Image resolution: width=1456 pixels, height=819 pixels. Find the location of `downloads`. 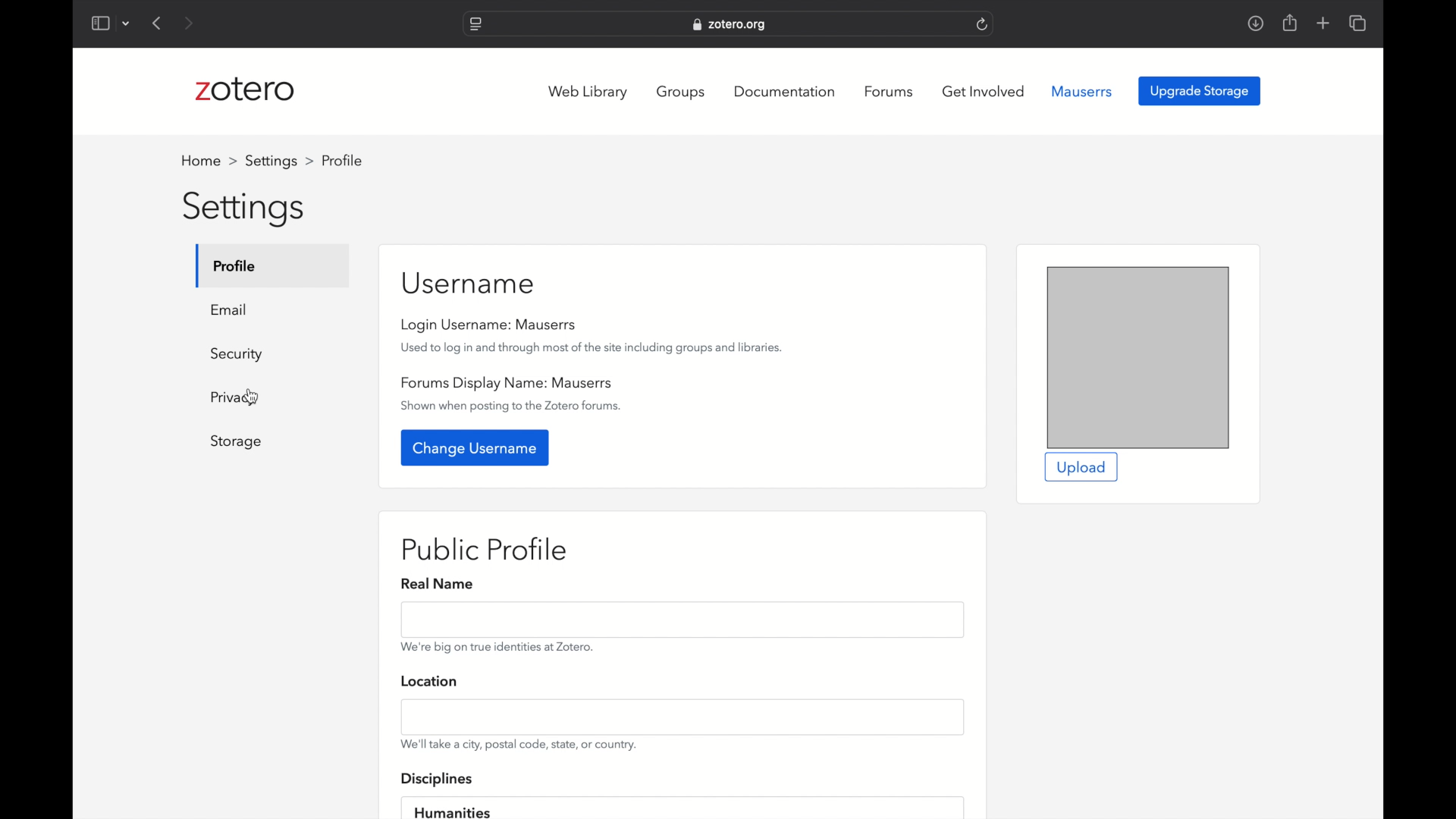

downloads is located at coordinates (1256, 23).